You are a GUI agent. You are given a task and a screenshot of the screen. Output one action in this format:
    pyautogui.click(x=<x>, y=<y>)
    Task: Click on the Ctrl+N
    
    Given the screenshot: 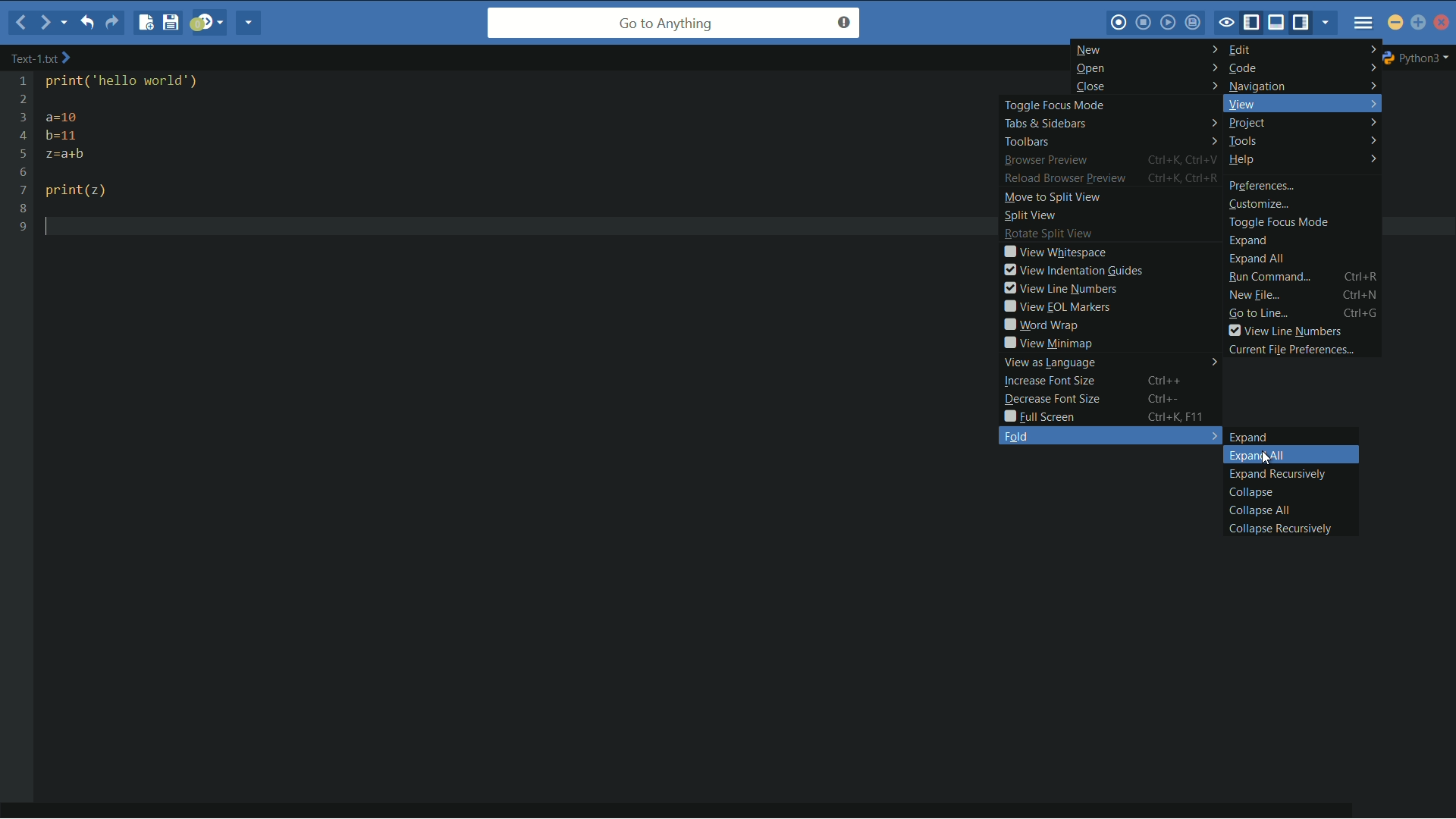 What is the action you would take?
    pyautogui.click(x=1363, y=294)
    